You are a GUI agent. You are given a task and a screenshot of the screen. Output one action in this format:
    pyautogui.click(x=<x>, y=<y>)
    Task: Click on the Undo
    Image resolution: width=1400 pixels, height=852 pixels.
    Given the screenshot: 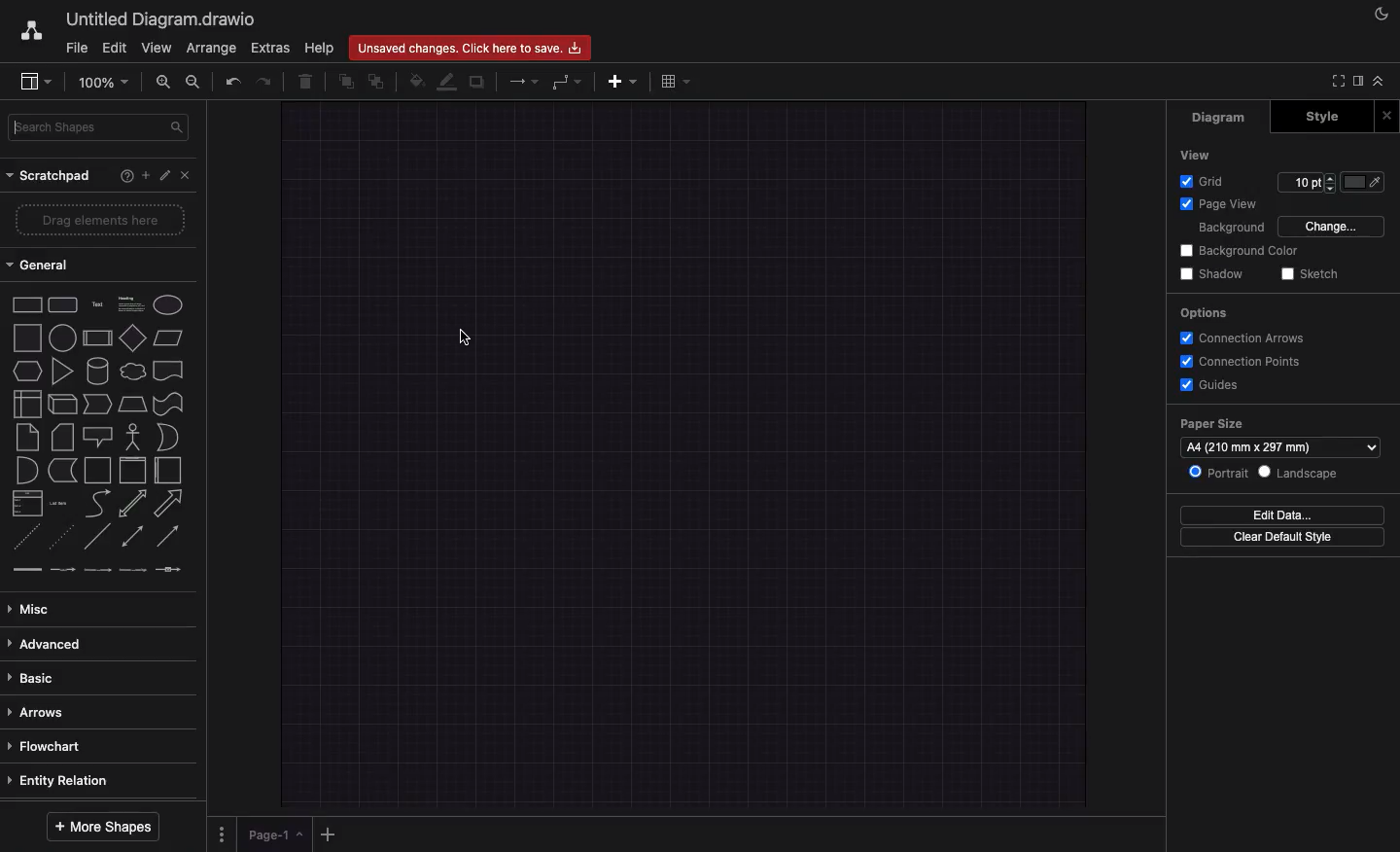 What is the action you would take?
    pyautogui.click(x=232, y=83)
    